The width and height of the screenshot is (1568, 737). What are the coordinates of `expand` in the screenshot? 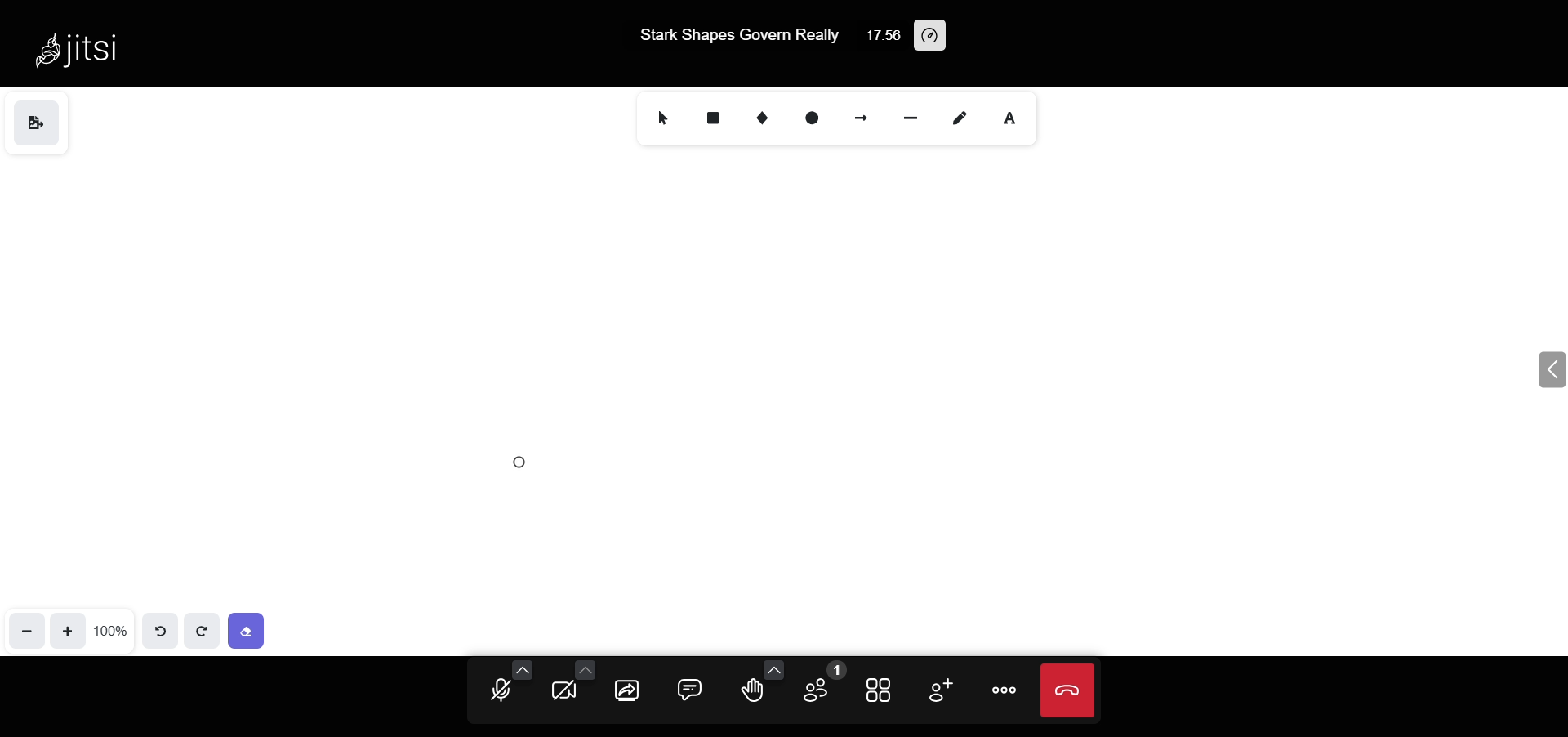 It's located at (1550, 371).